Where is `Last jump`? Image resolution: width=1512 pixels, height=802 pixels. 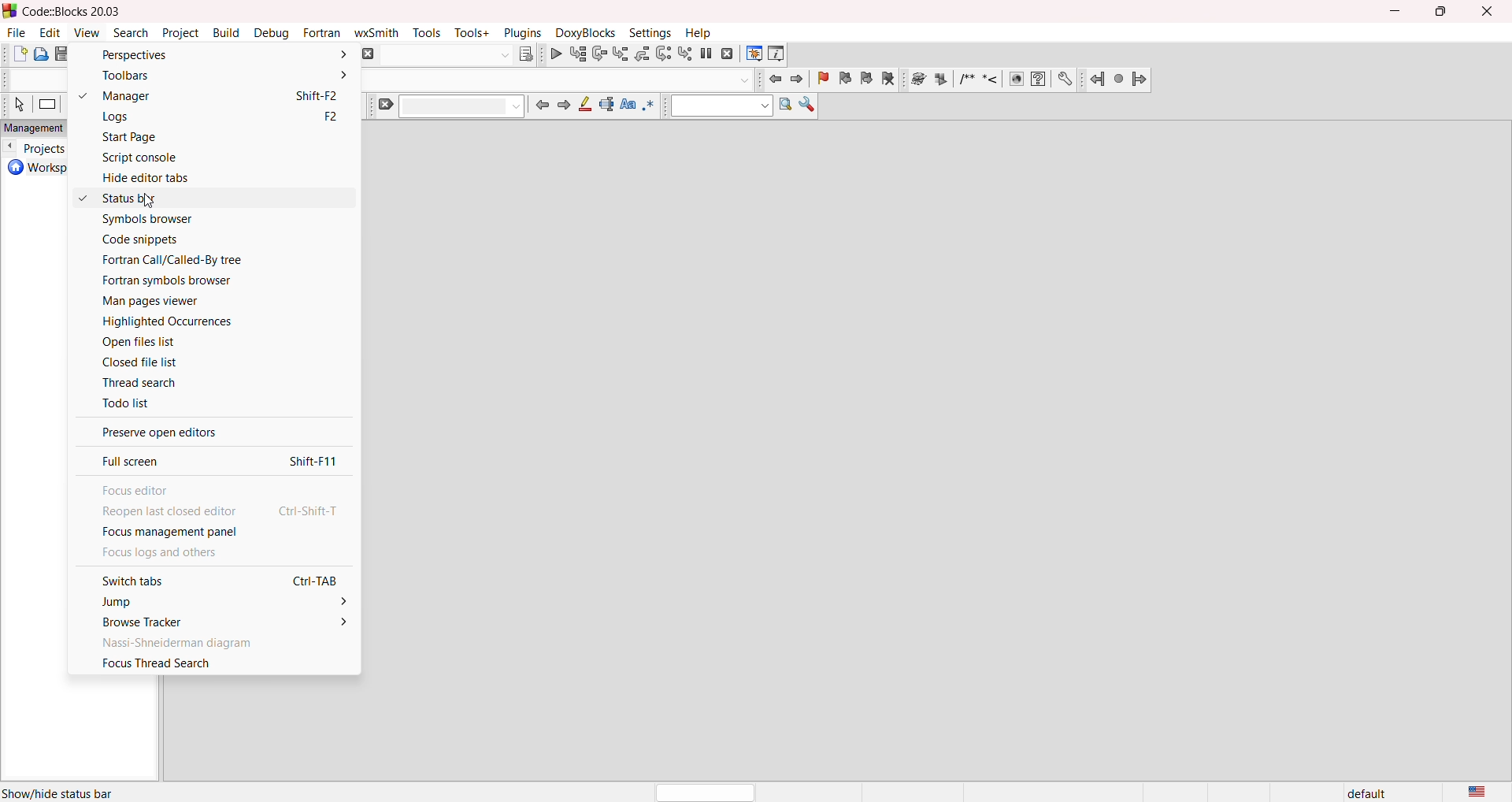
Last jump is located at coordinates (1118, 79).